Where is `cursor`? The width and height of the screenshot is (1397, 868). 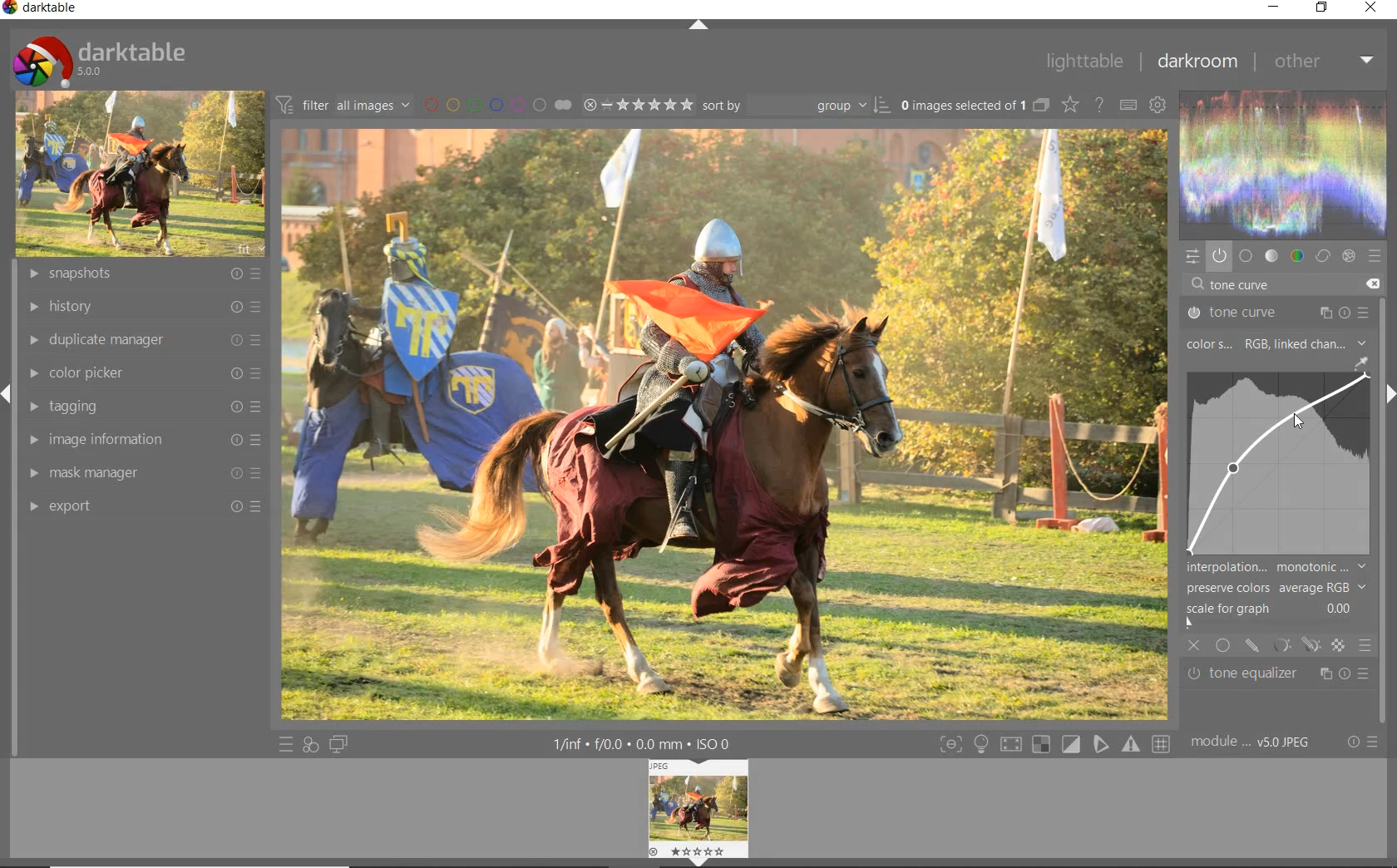
cursor is located at coordinates (1298, 422).